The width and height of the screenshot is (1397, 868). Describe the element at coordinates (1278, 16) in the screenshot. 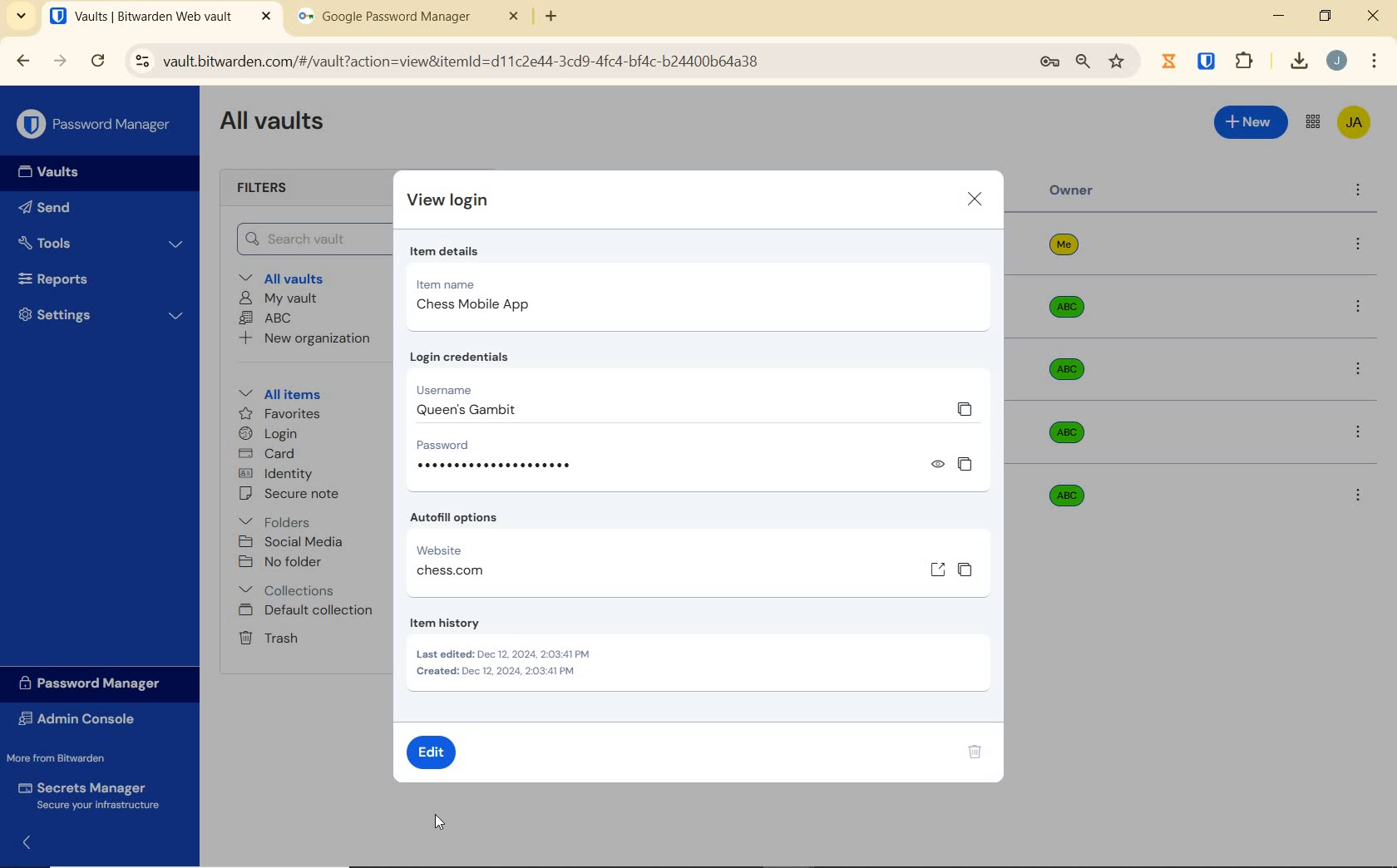

I see `minimize` at that location.